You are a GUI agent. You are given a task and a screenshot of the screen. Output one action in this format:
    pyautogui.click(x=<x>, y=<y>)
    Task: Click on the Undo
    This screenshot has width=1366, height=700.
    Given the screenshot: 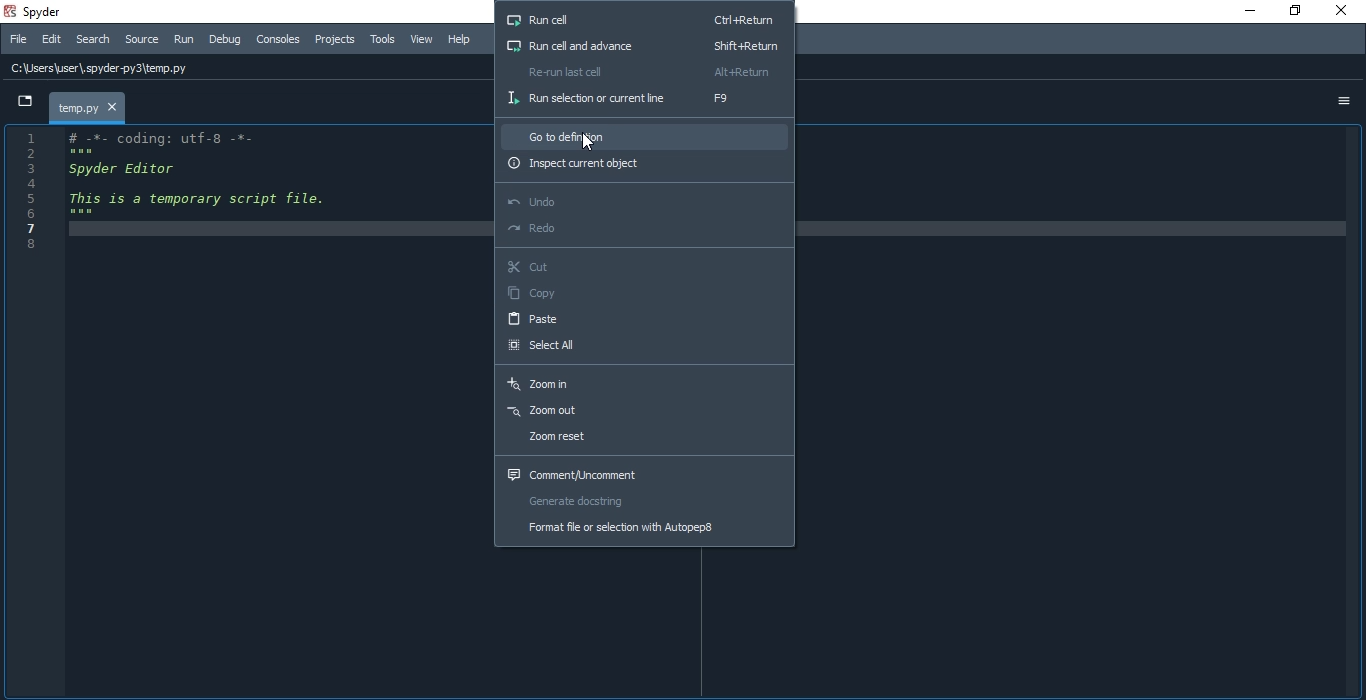 What is the action you would take?
    pyautogui.click(x=641, y=199)
    